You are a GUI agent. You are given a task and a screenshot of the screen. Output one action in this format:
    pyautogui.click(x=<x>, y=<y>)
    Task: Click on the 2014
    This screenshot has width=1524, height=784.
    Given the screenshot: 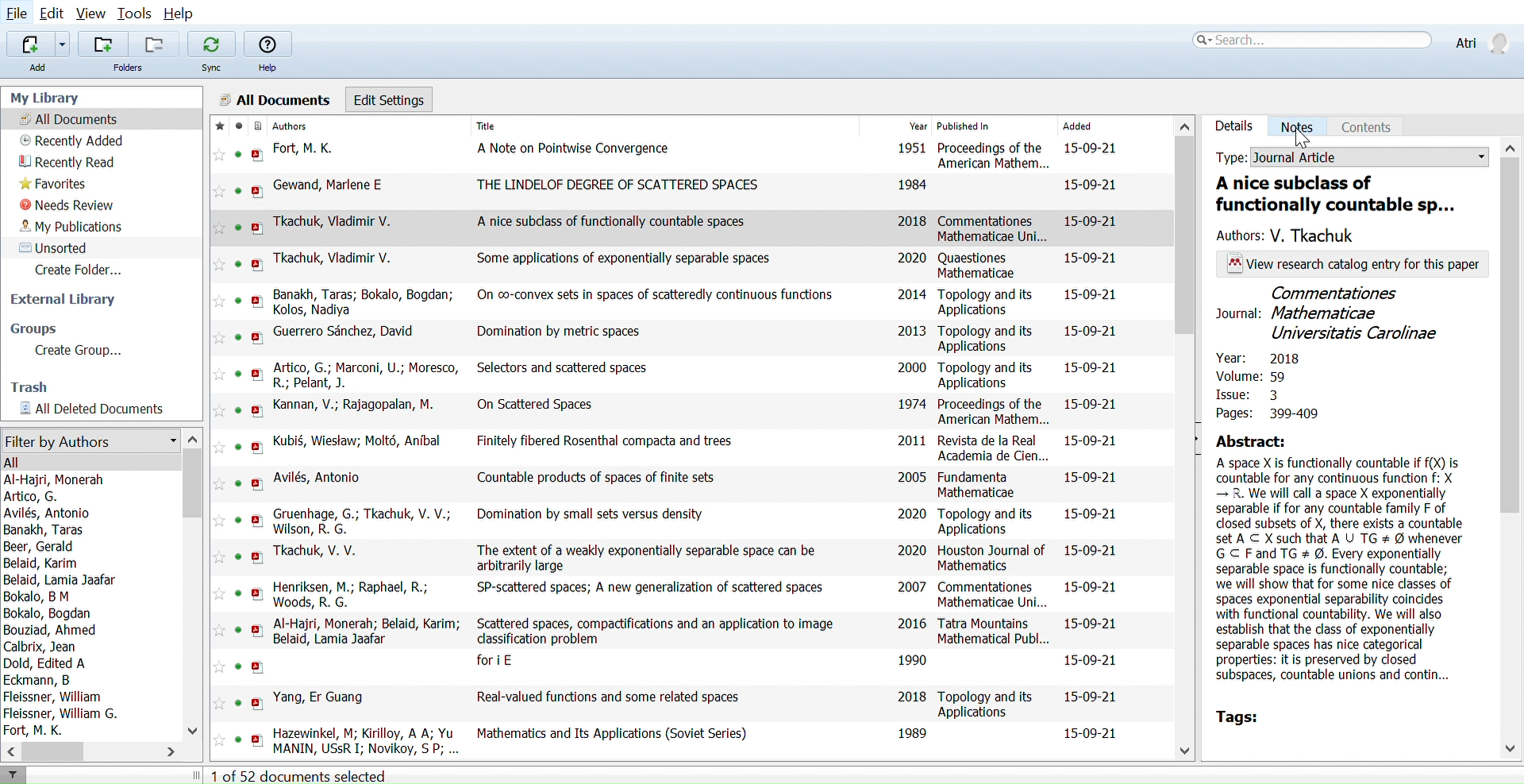 What is the action you would take?
    pyautogui.click(x=912, y=295)
    